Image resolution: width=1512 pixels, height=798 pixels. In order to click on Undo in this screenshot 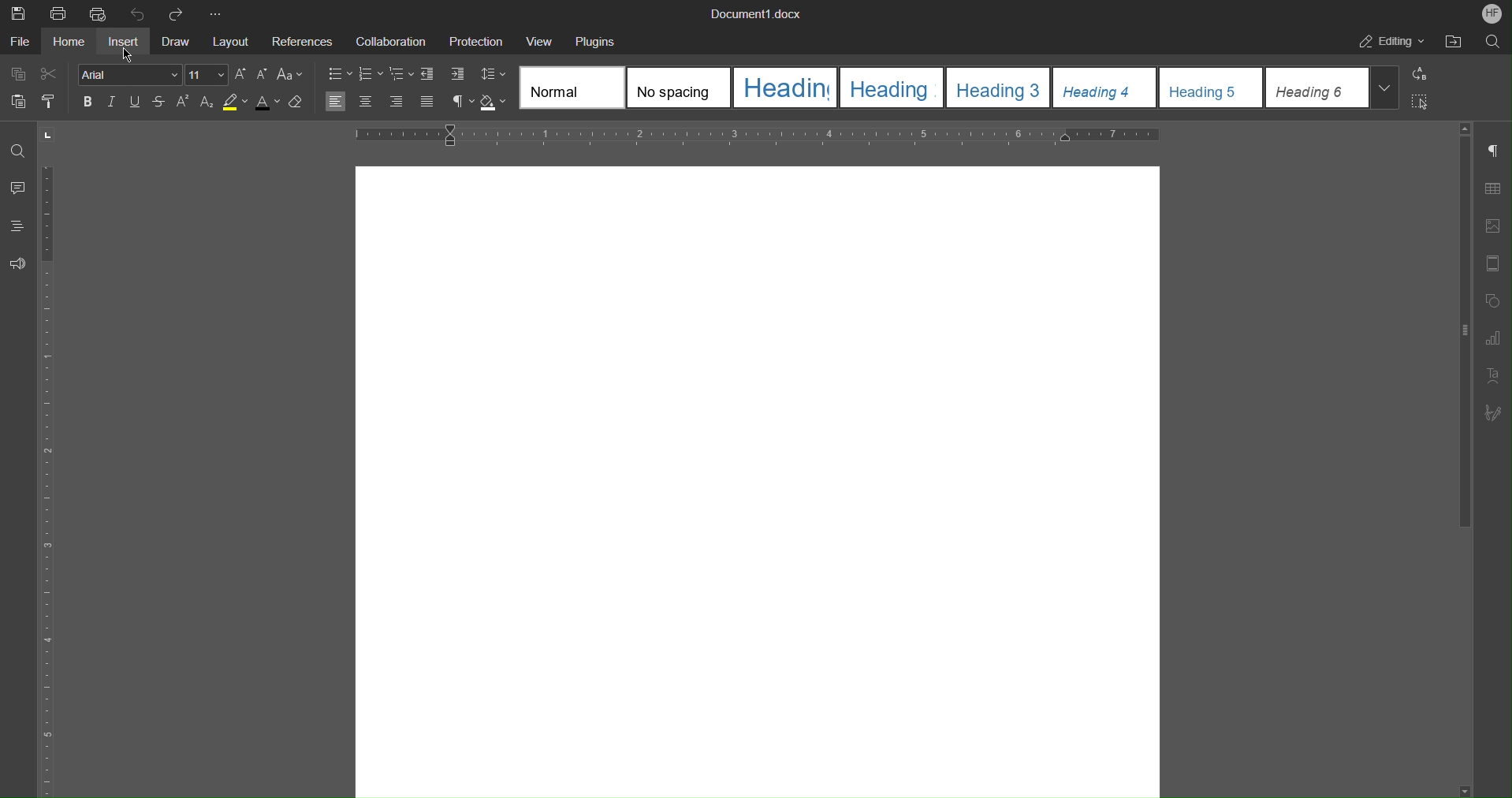, I will do `click(138, 13)`.